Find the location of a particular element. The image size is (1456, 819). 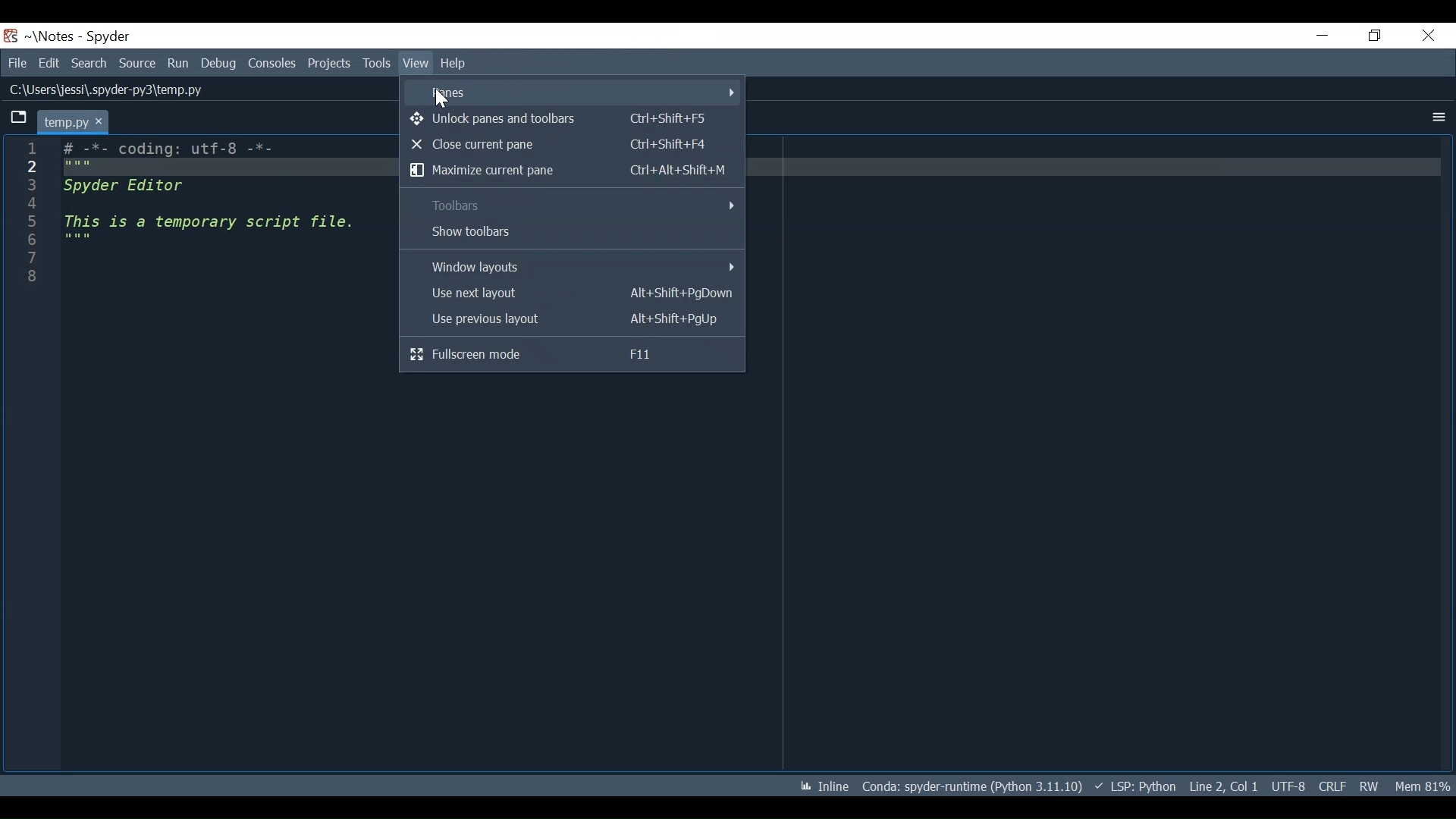

Cursor is located at coordinates (441, 99).